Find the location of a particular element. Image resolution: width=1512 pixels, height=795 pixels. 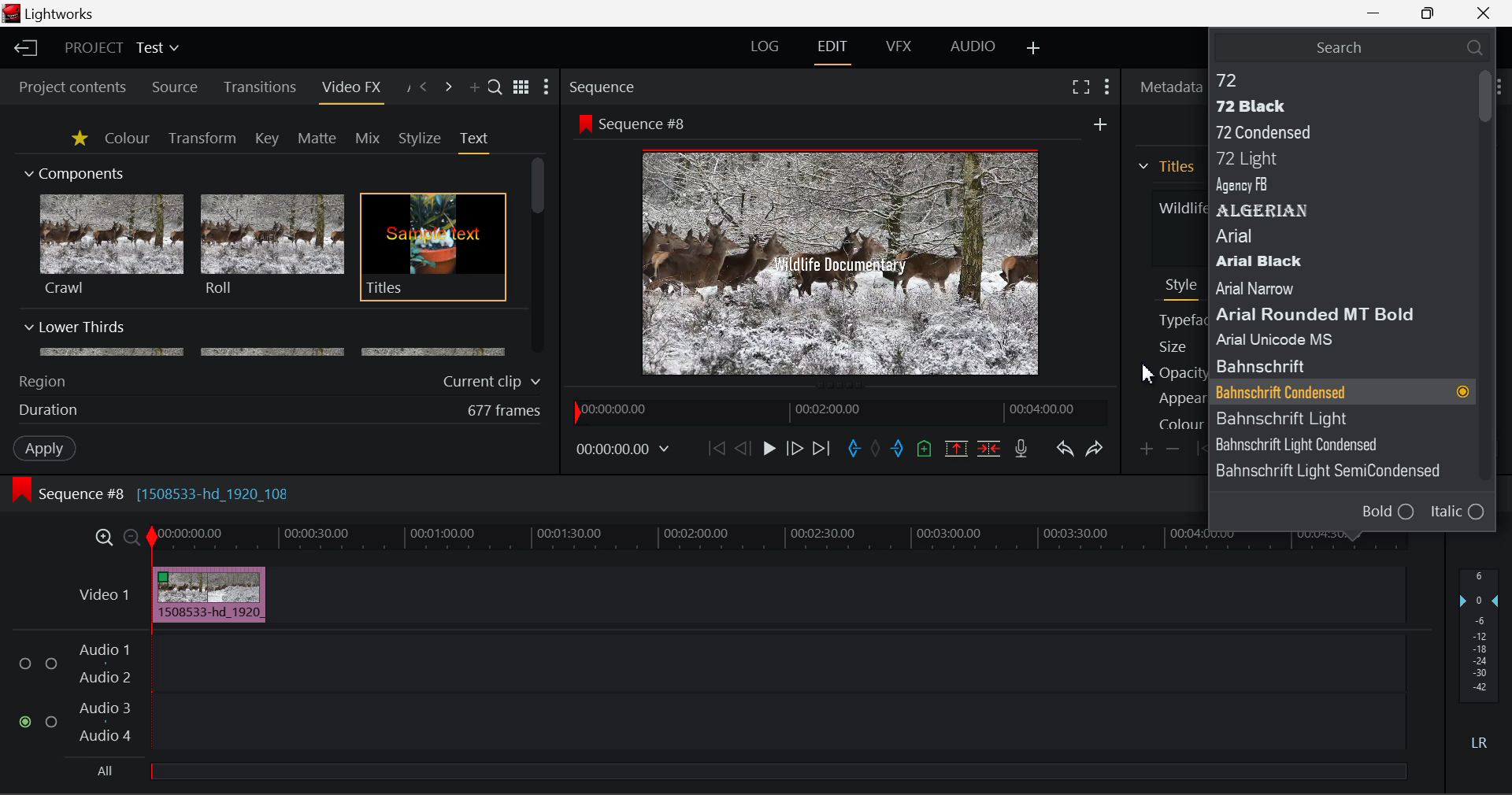

Mix is located at coordinates (367, 139).